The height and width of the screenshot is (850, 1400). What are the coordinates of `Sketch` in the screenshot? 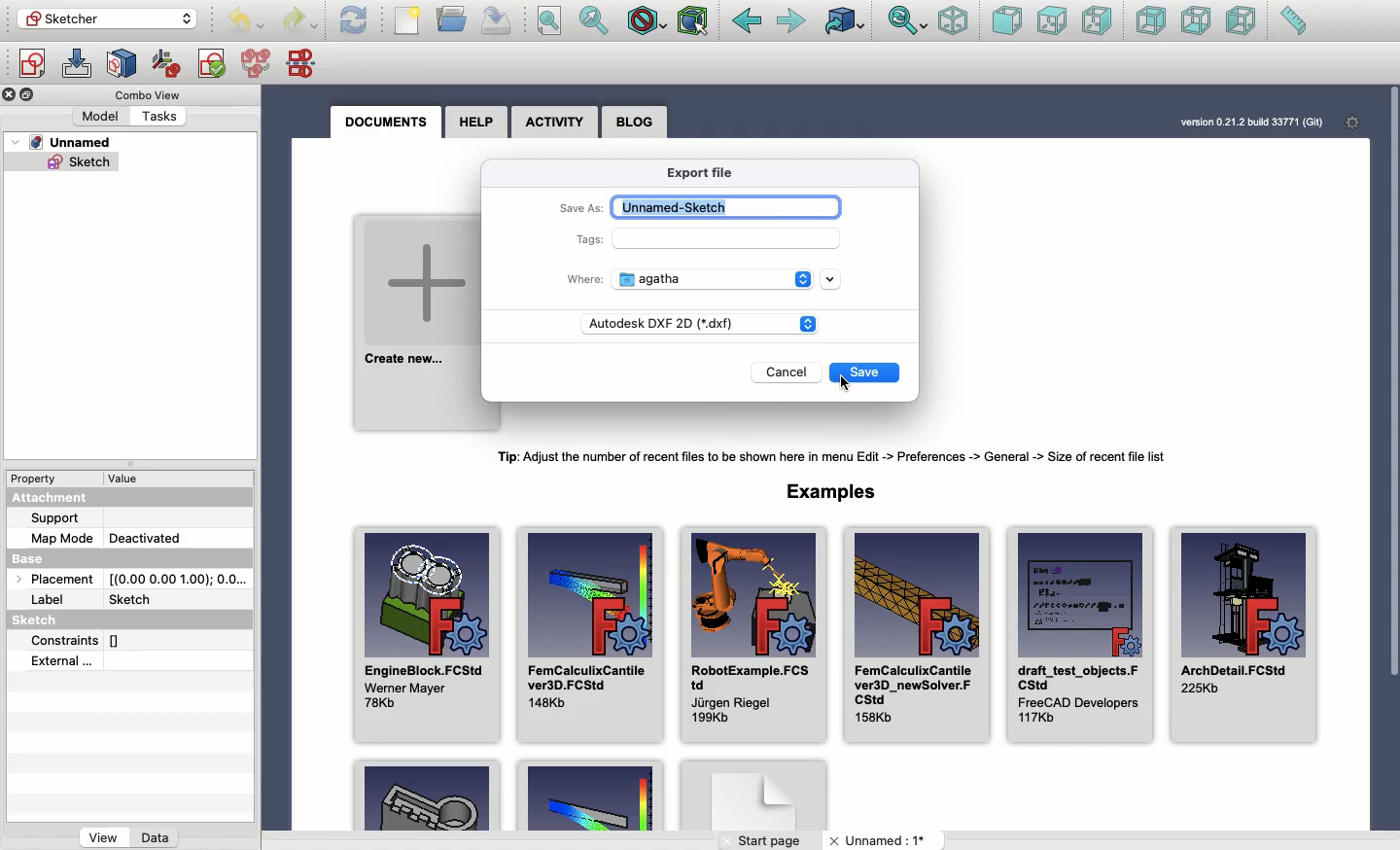 It's located at (64, 164).